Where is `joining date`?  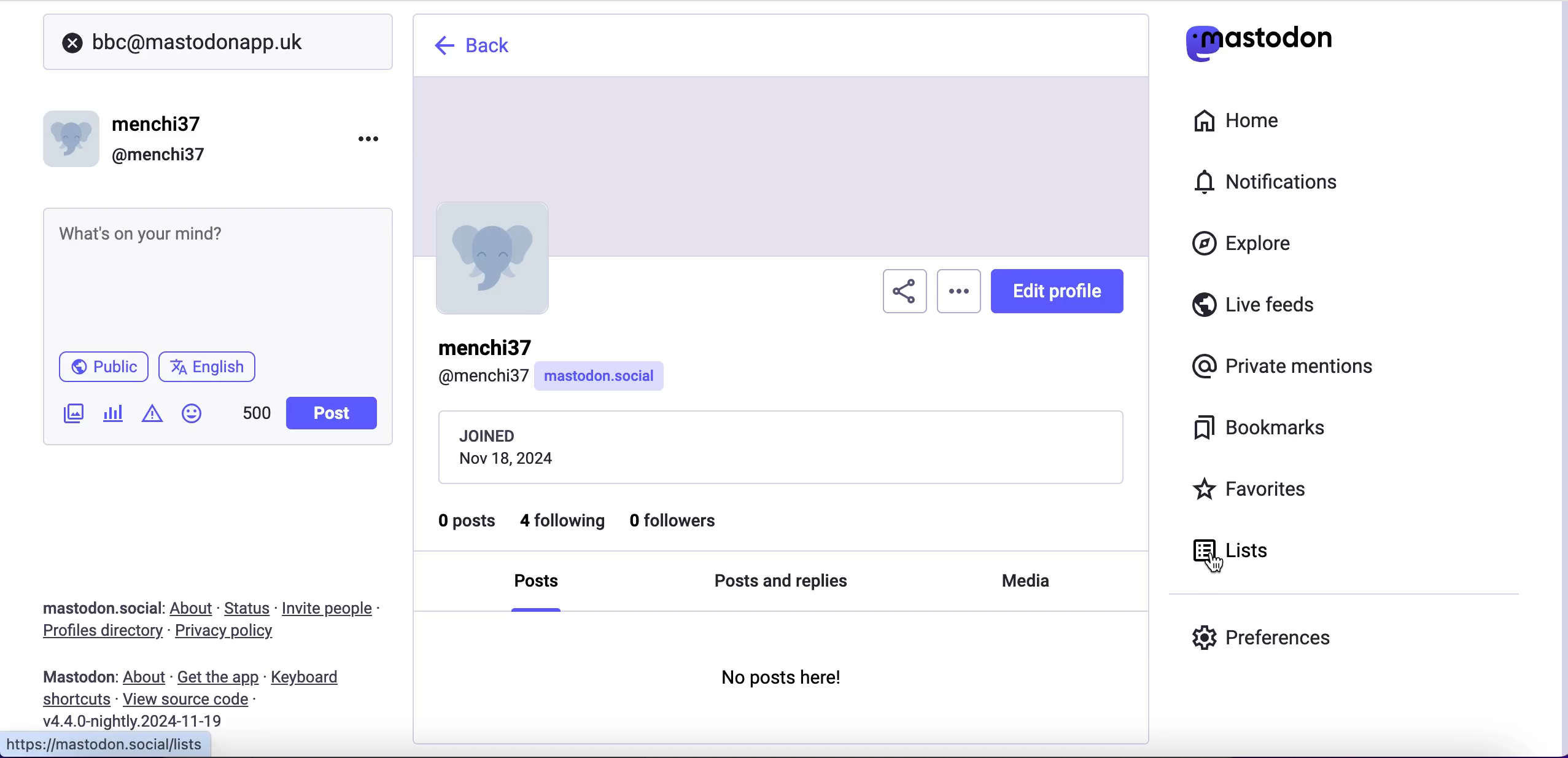
joining date is located at coordinates (779, 445).